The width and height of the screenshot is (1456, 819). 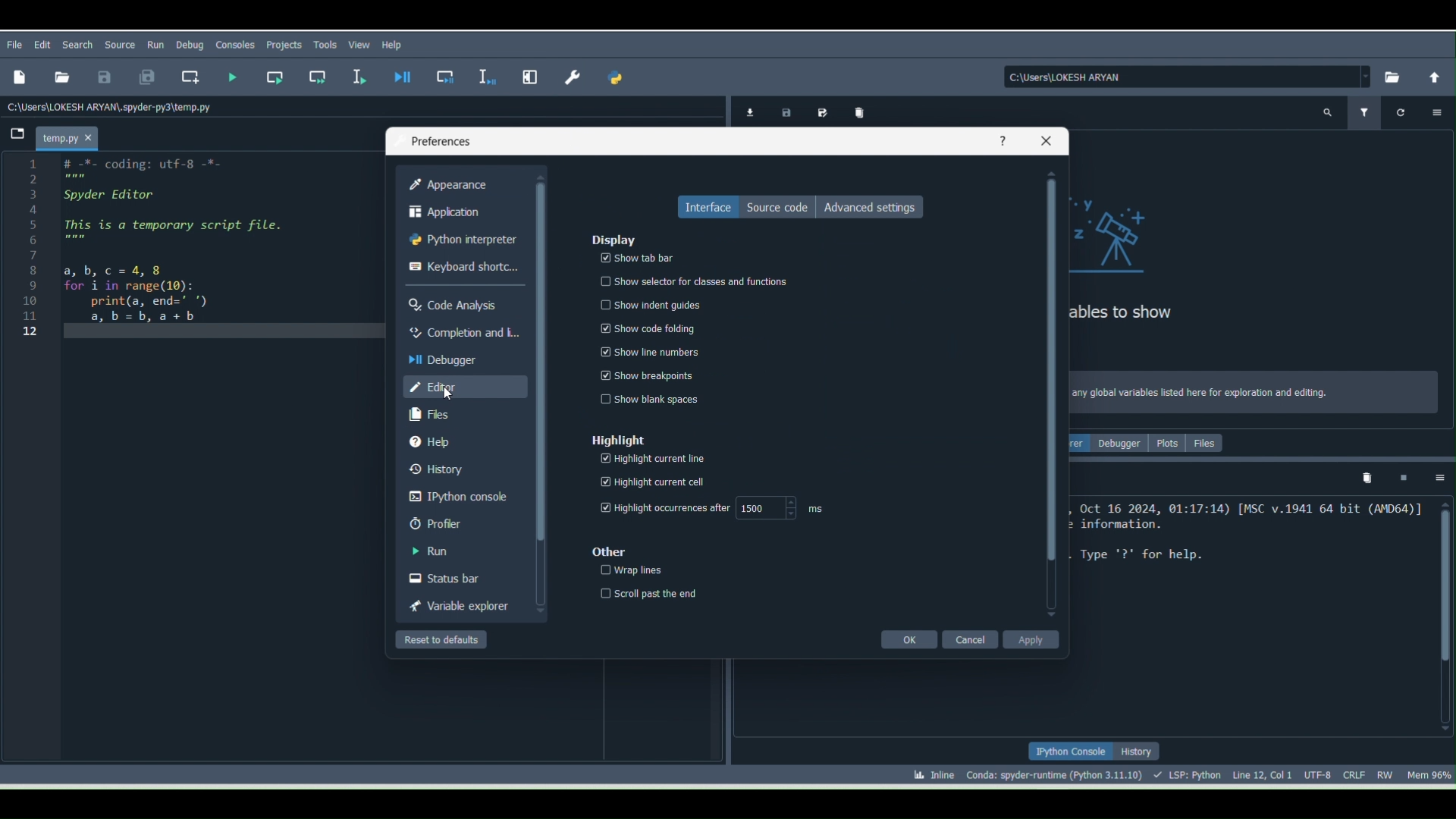 I want to click on Ok, so click(x=908, y=638).